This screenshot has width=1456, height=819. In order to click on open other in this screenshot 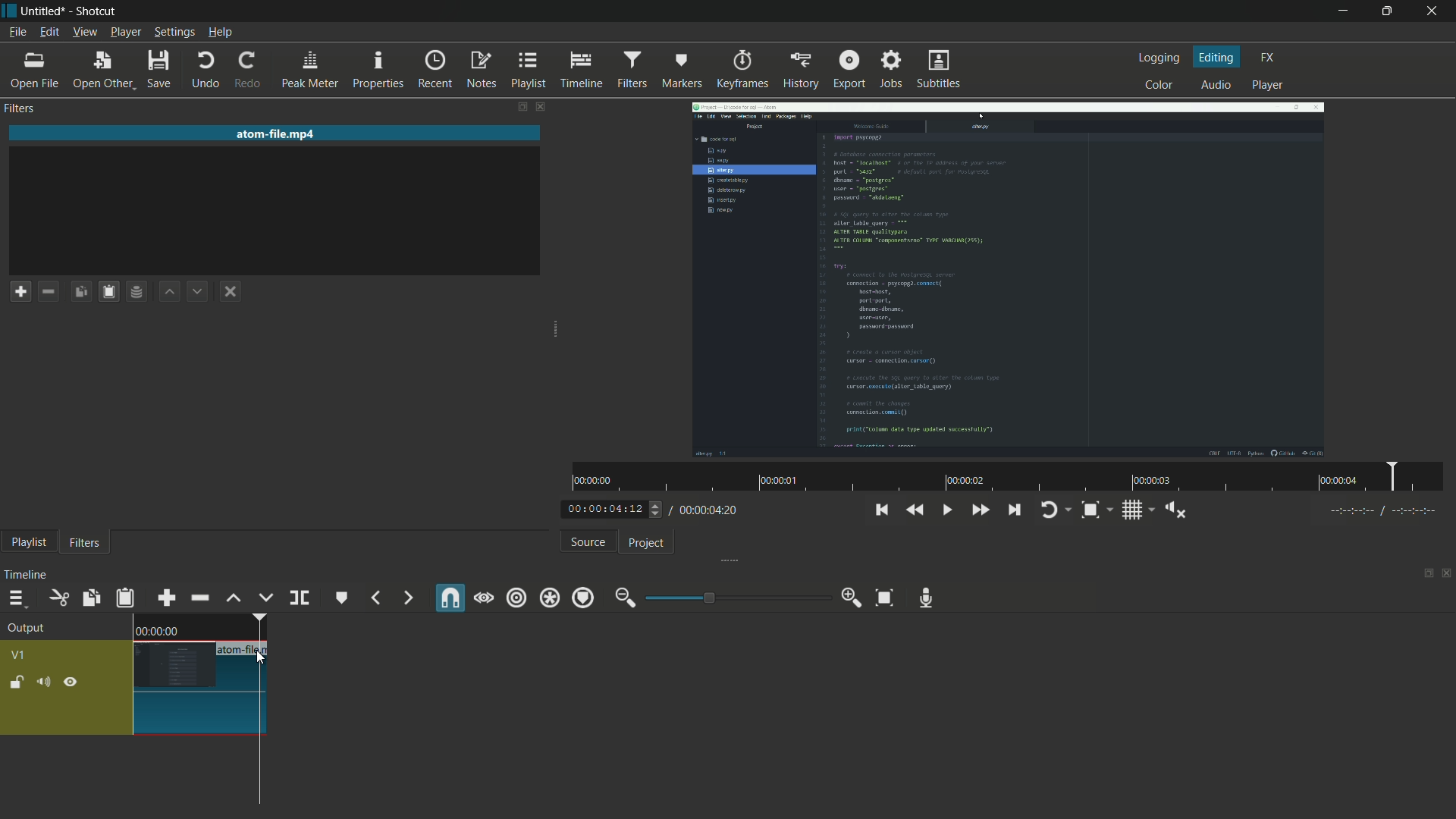, I will do `click(99, 69)`.